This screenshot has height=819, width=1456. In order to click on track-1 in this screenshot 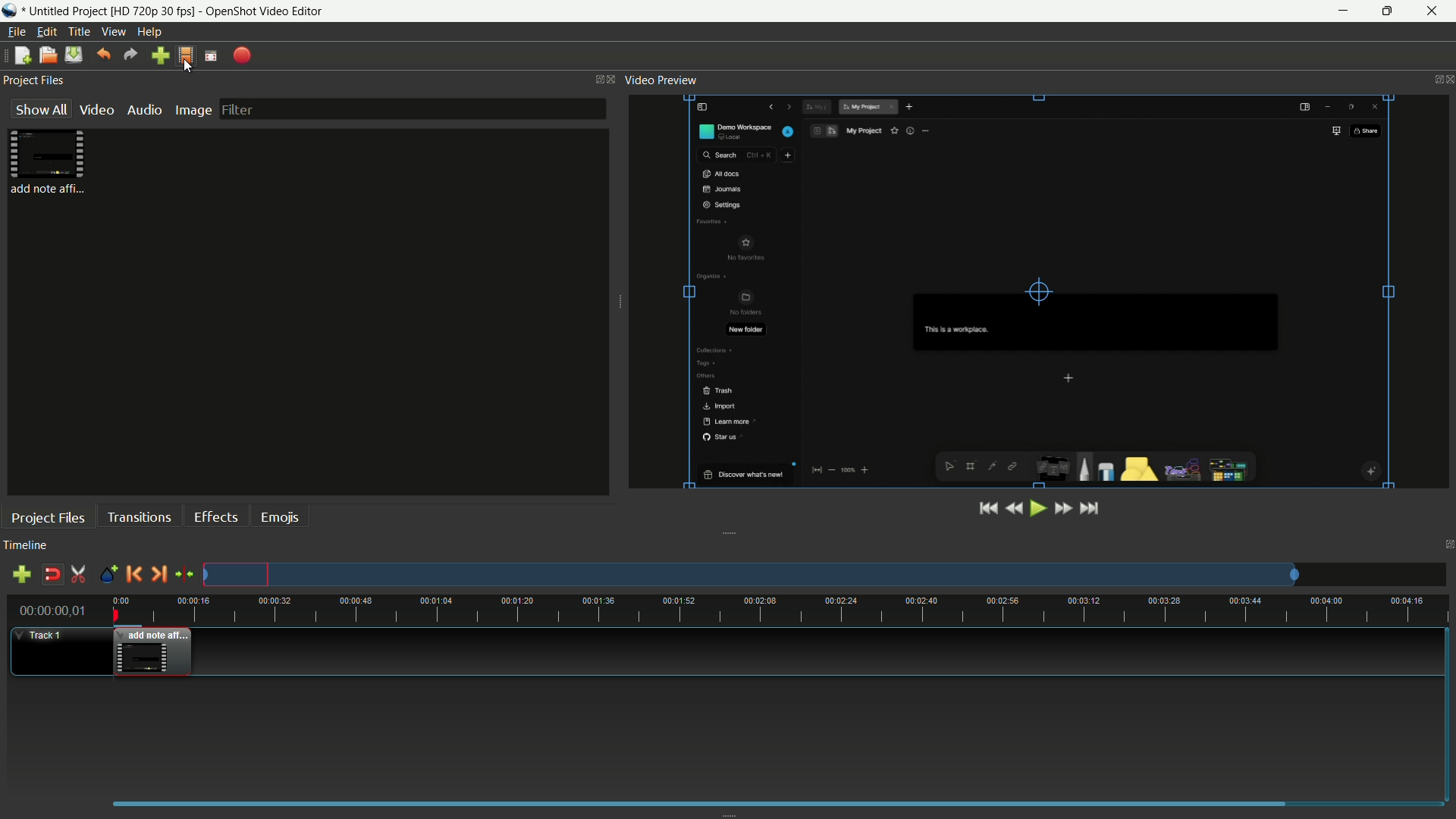, I will do `click(58, 651)`.